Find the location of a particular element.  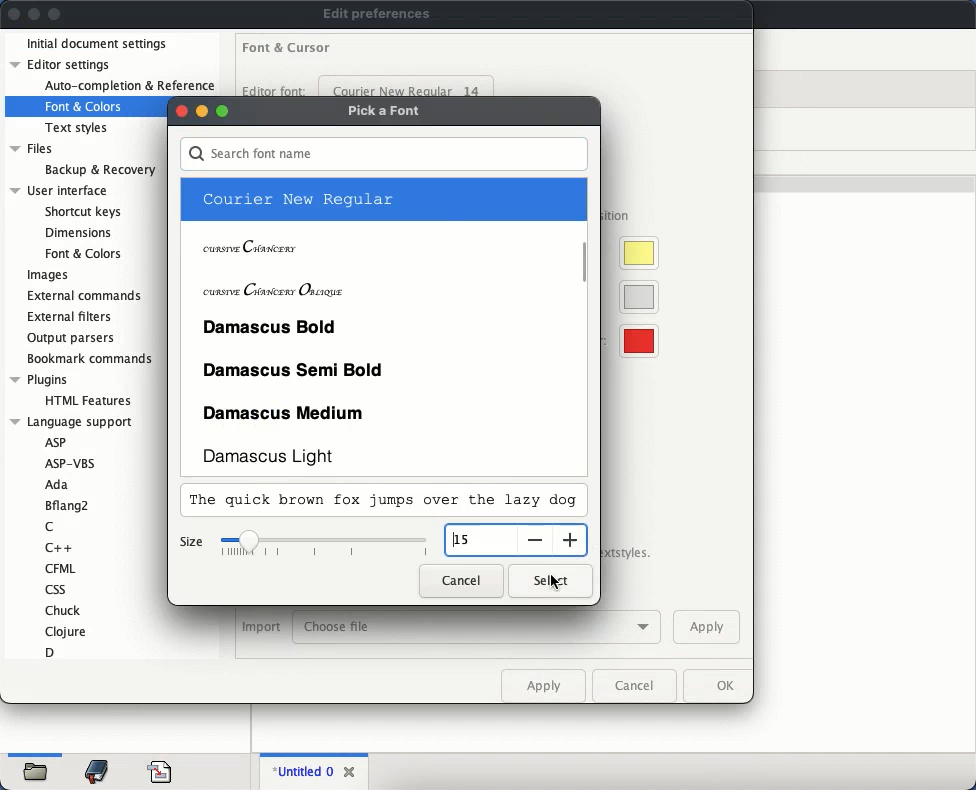

images is located at coordinates (48, 276).